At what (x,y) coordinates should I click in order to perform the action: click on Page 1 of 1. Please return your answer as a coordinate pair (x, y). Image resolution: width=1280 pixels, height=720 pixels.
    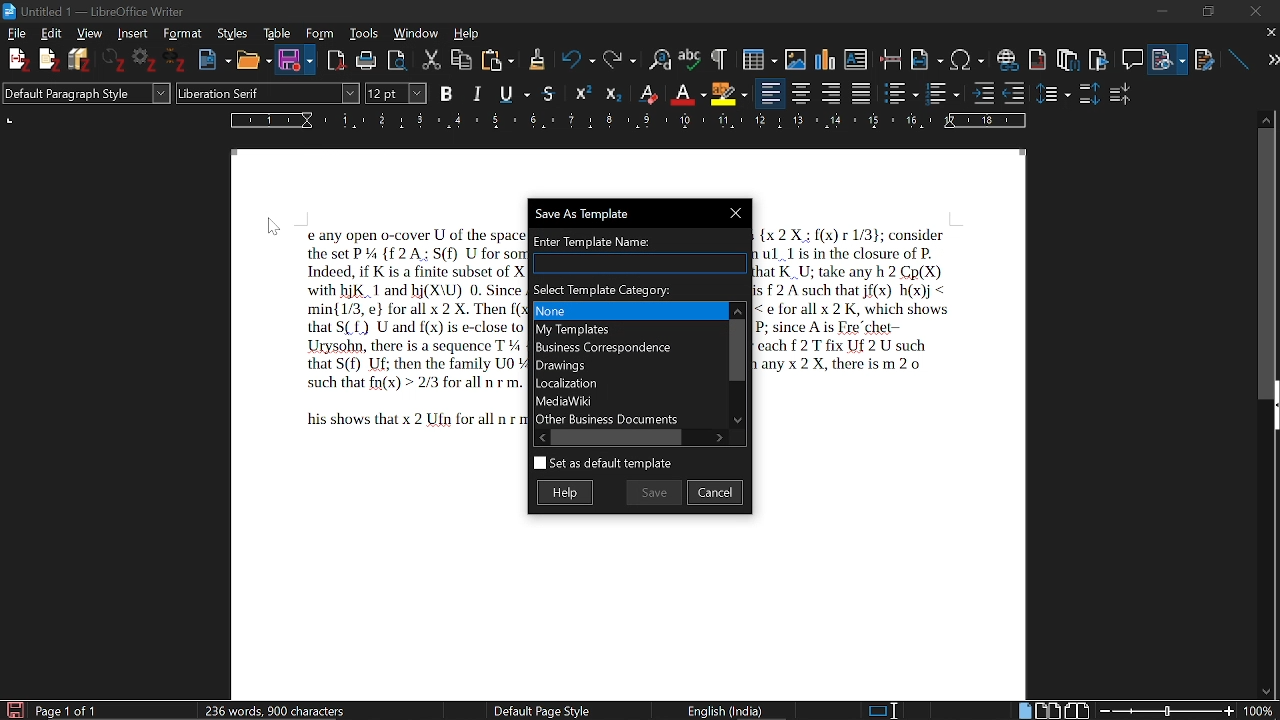
    Looking at the image, I should click on (66, 709).